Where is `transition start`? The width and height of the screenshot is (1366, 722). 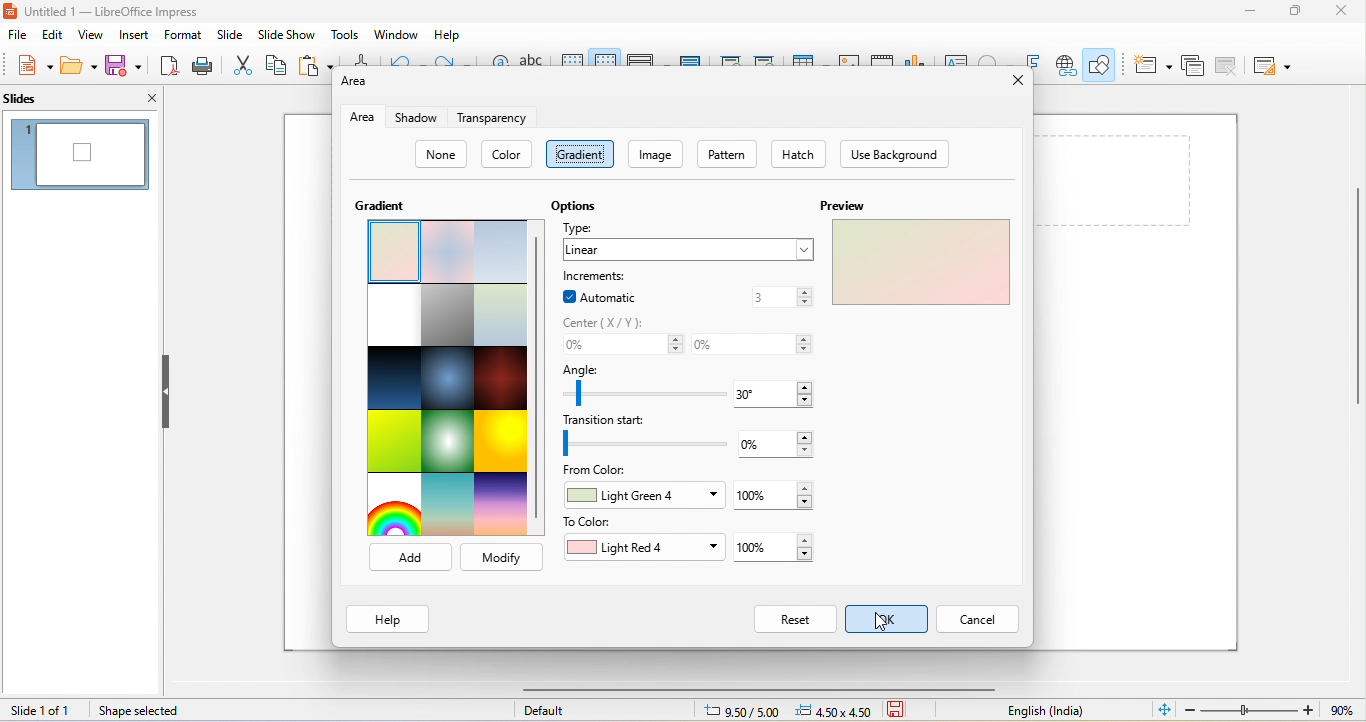 transition start is located at coordinates (642, 420).